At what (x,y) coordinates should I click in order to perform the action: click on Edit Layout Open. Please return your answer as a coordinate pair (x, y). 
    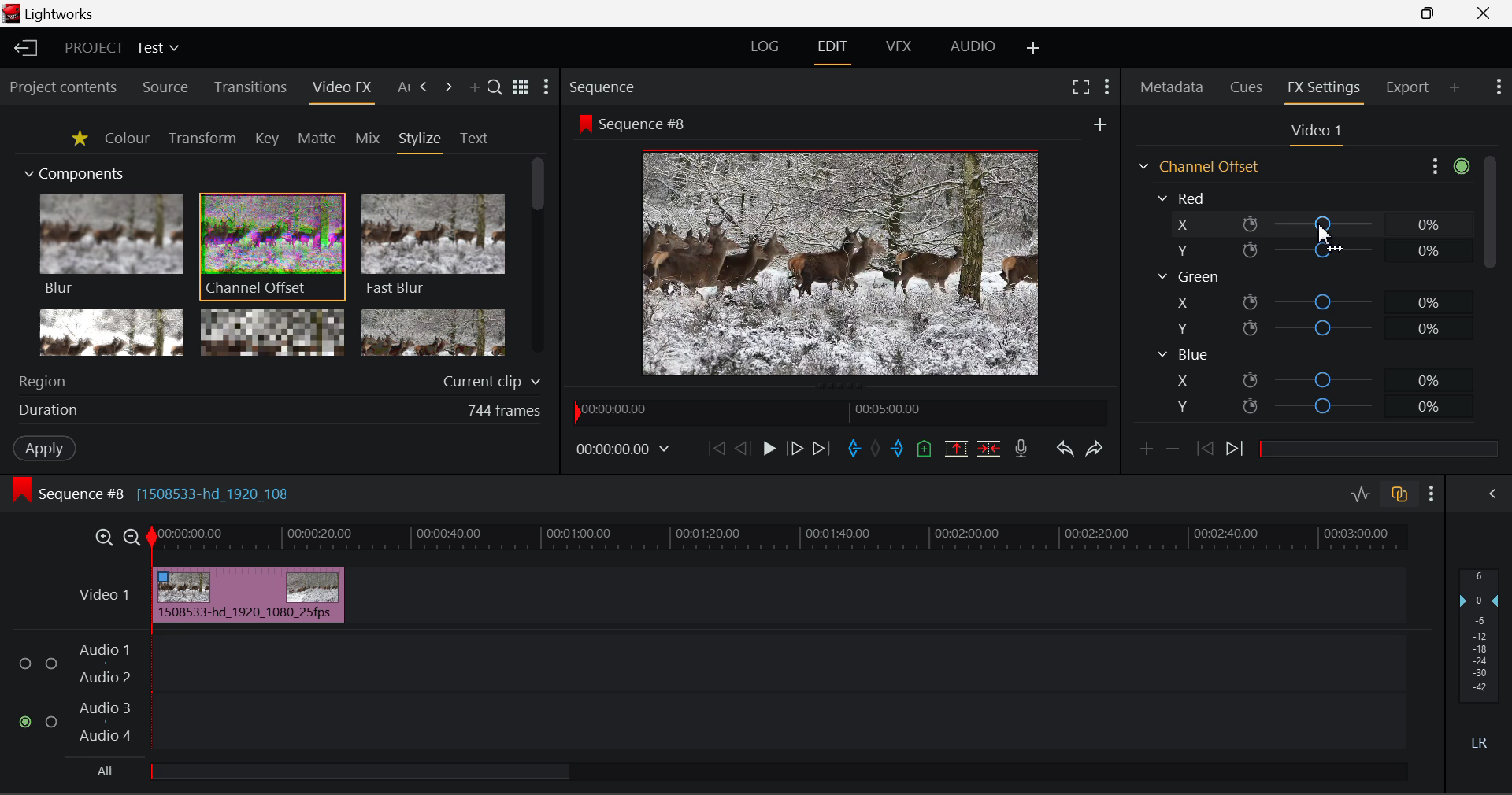
    Looking at the image, I should click on (832, 52).